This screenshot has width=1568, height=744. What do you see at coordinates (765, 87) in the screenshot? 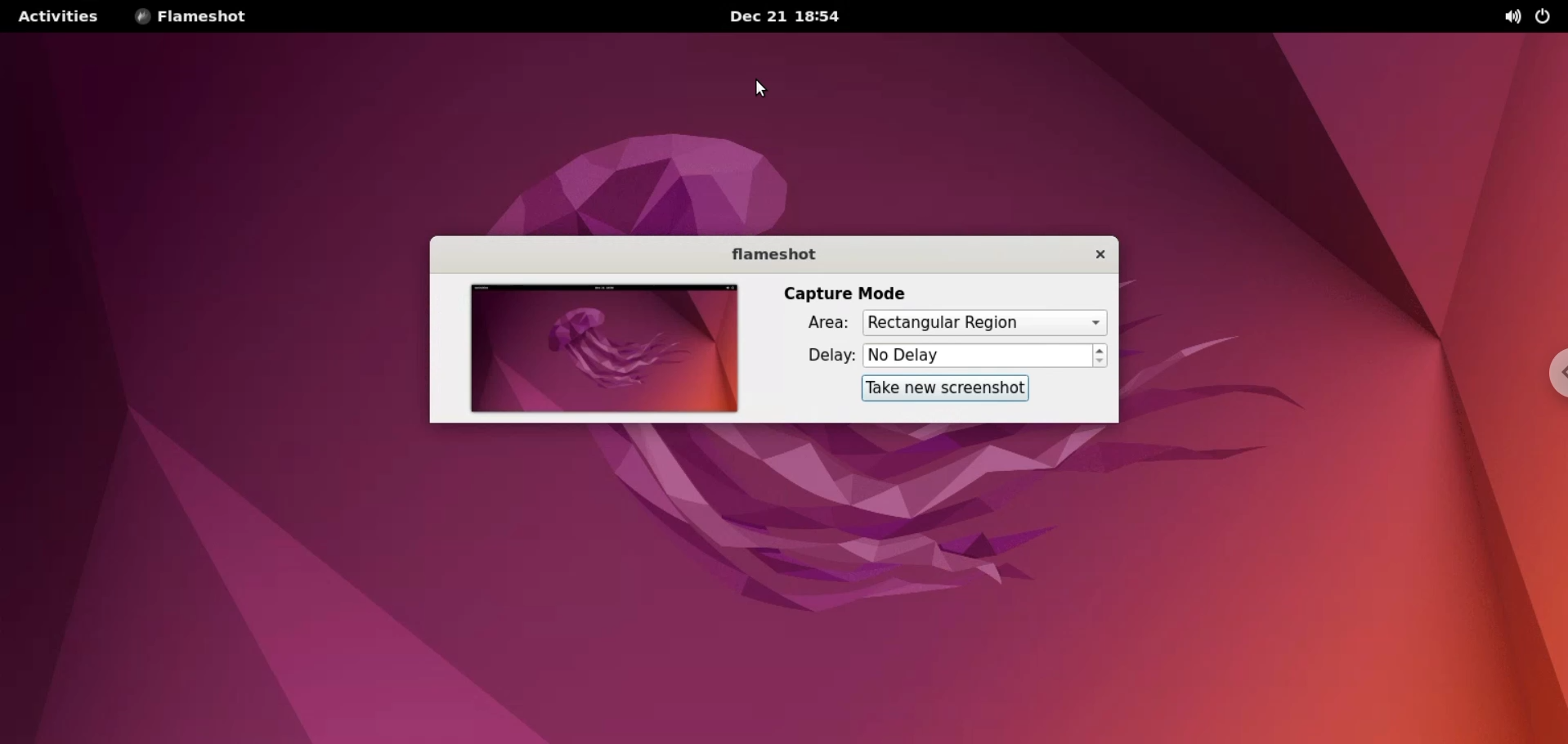
I see `cursor` at bounding box center [765, 87].